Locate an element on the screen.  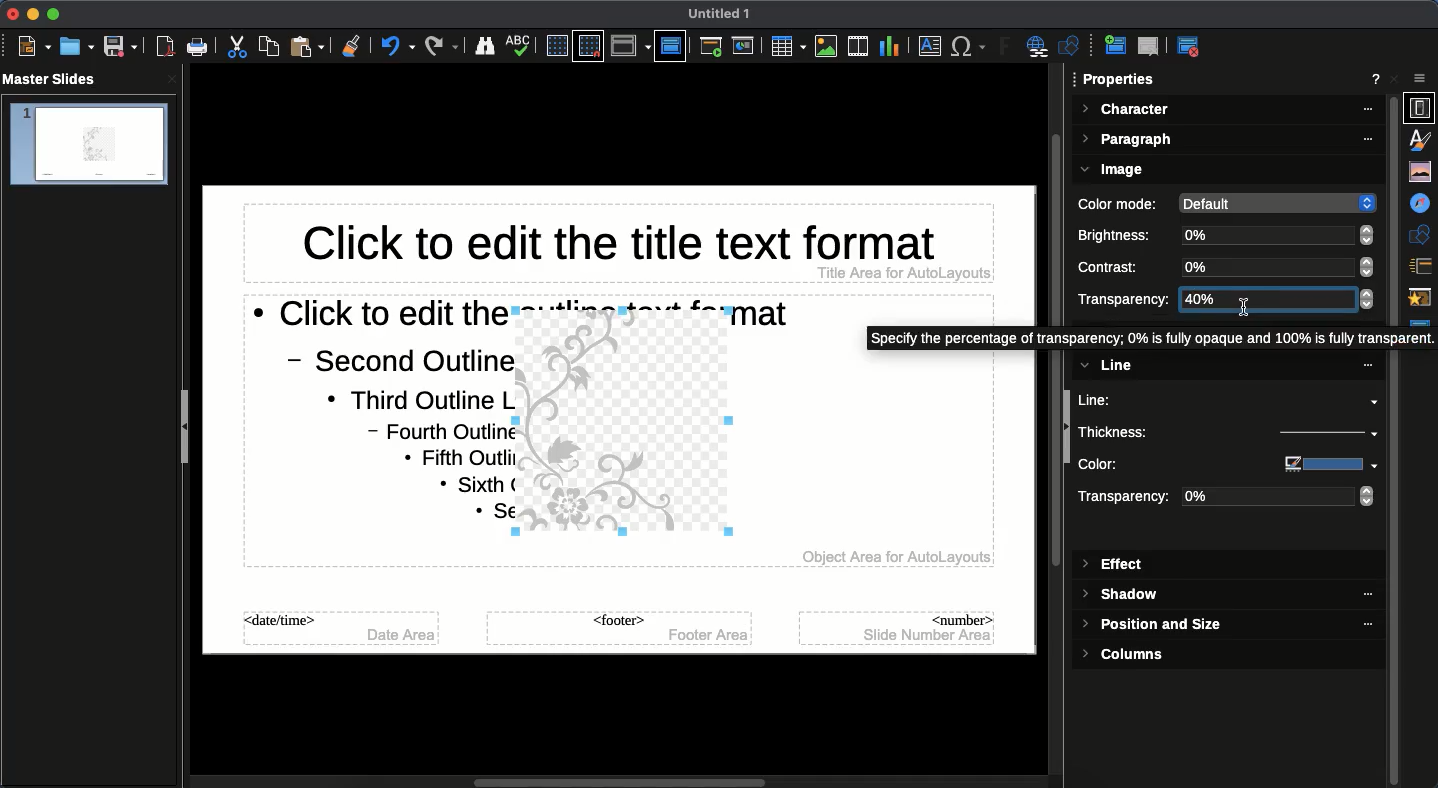
Table is located at coordinates (786, 46).